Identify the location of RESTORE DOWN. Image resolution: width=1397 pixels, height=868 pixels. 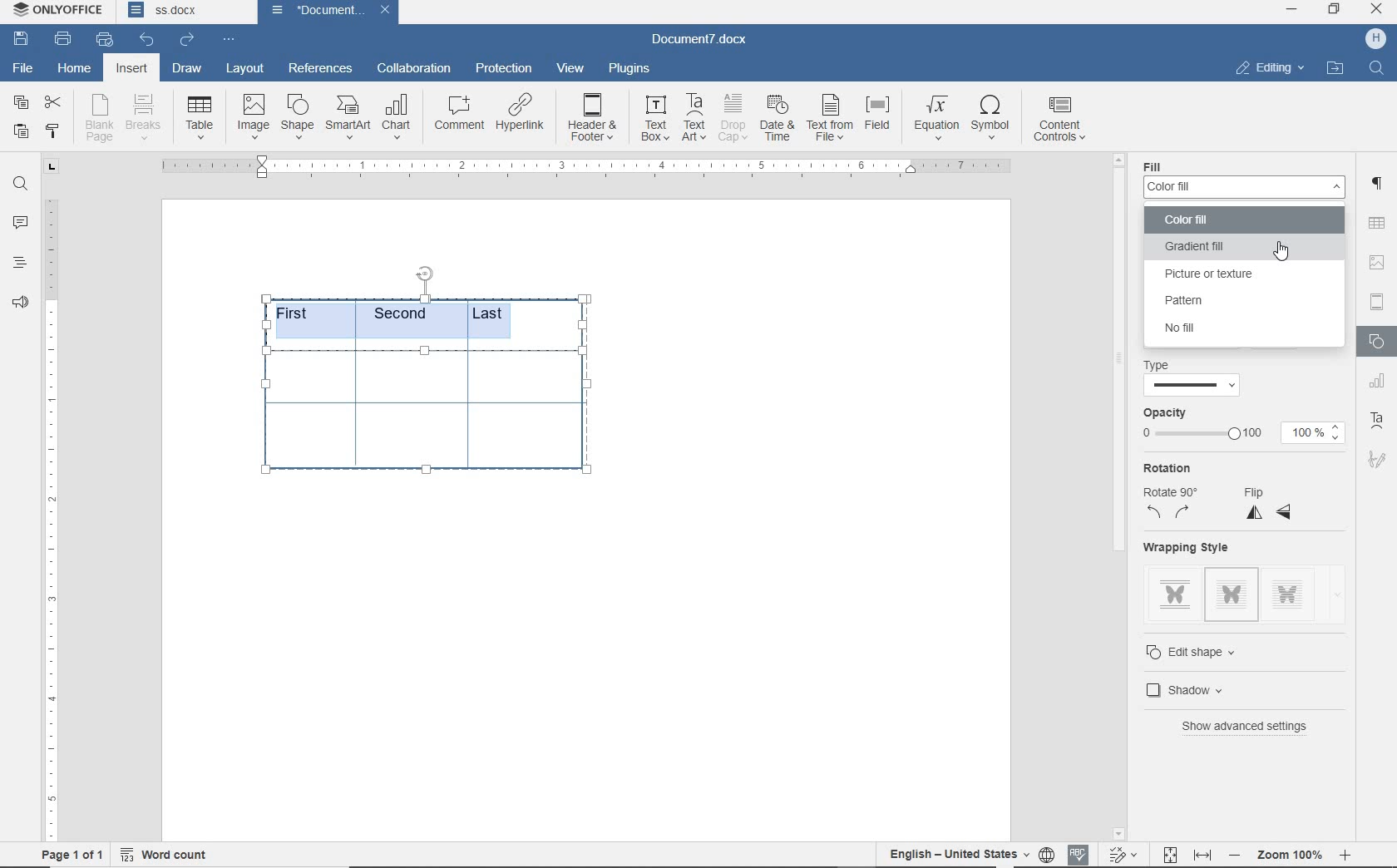
(1335, 10).